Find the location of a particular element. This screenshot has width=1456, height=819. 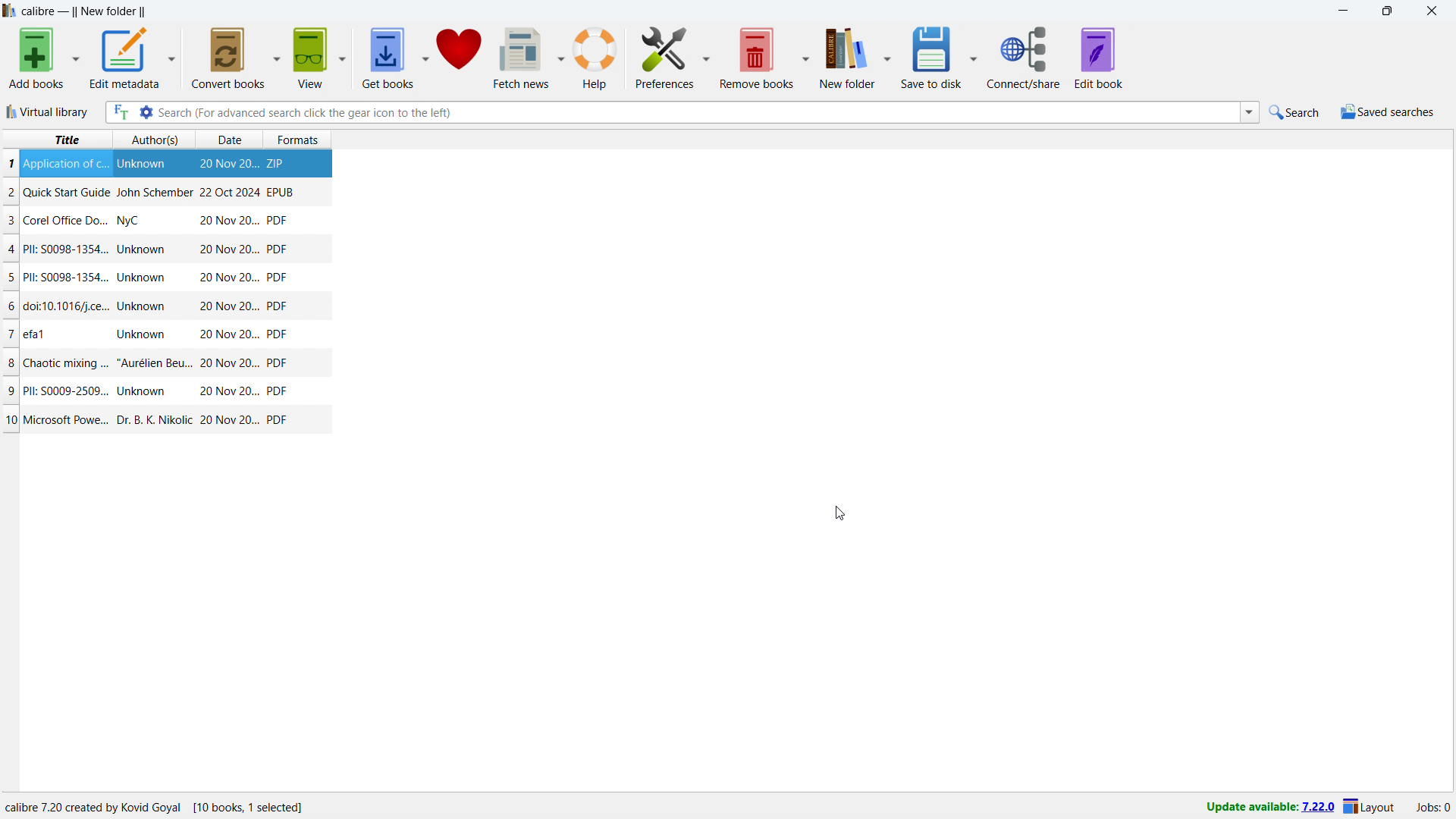

add books options is located at coordinates (76, 58).